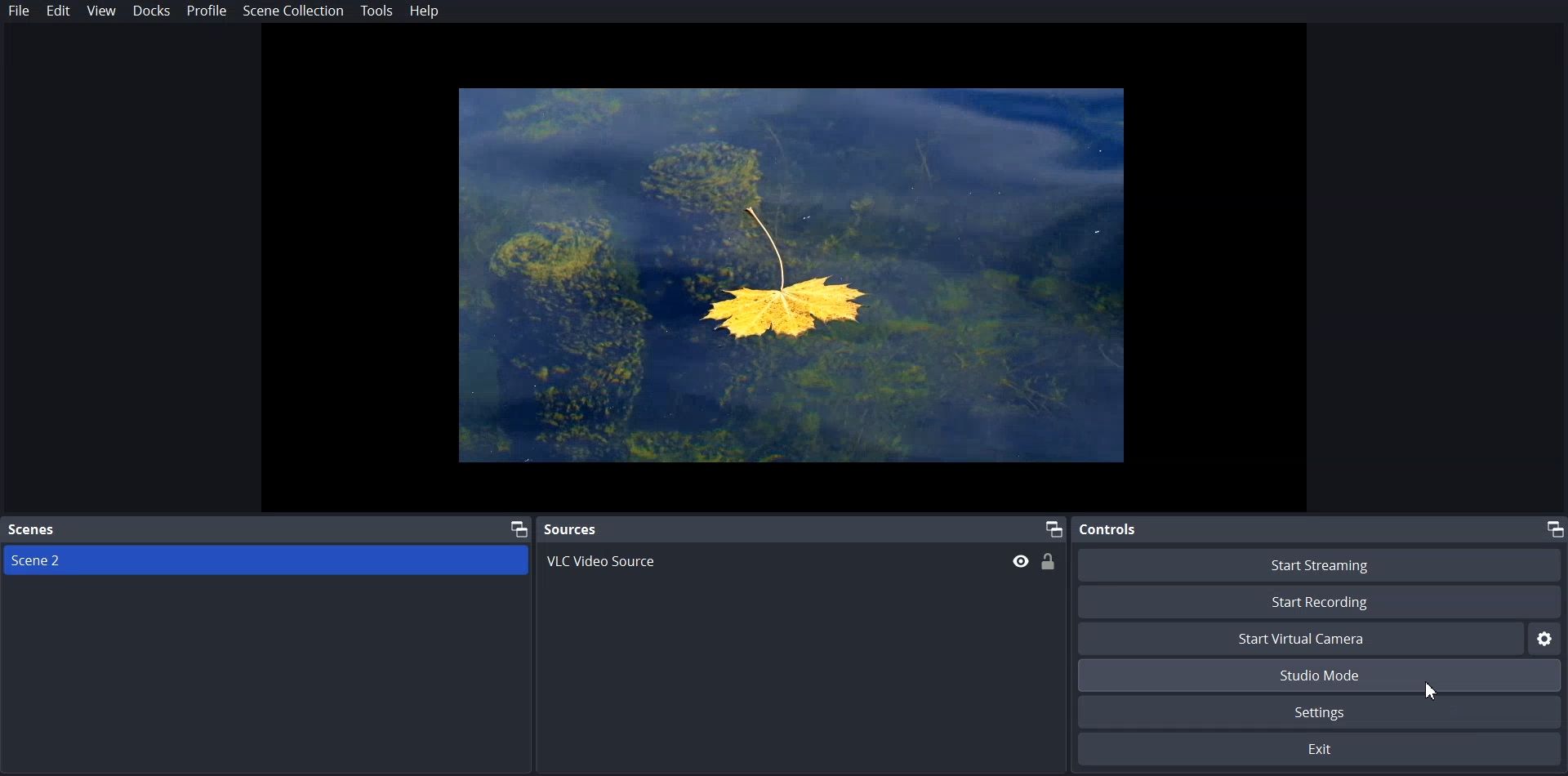 This screenshot has height=776, width=1568. What do you see at coordinates (99, 564) in the screenshot?
I see `Scene` at bounding box center [99, 564].